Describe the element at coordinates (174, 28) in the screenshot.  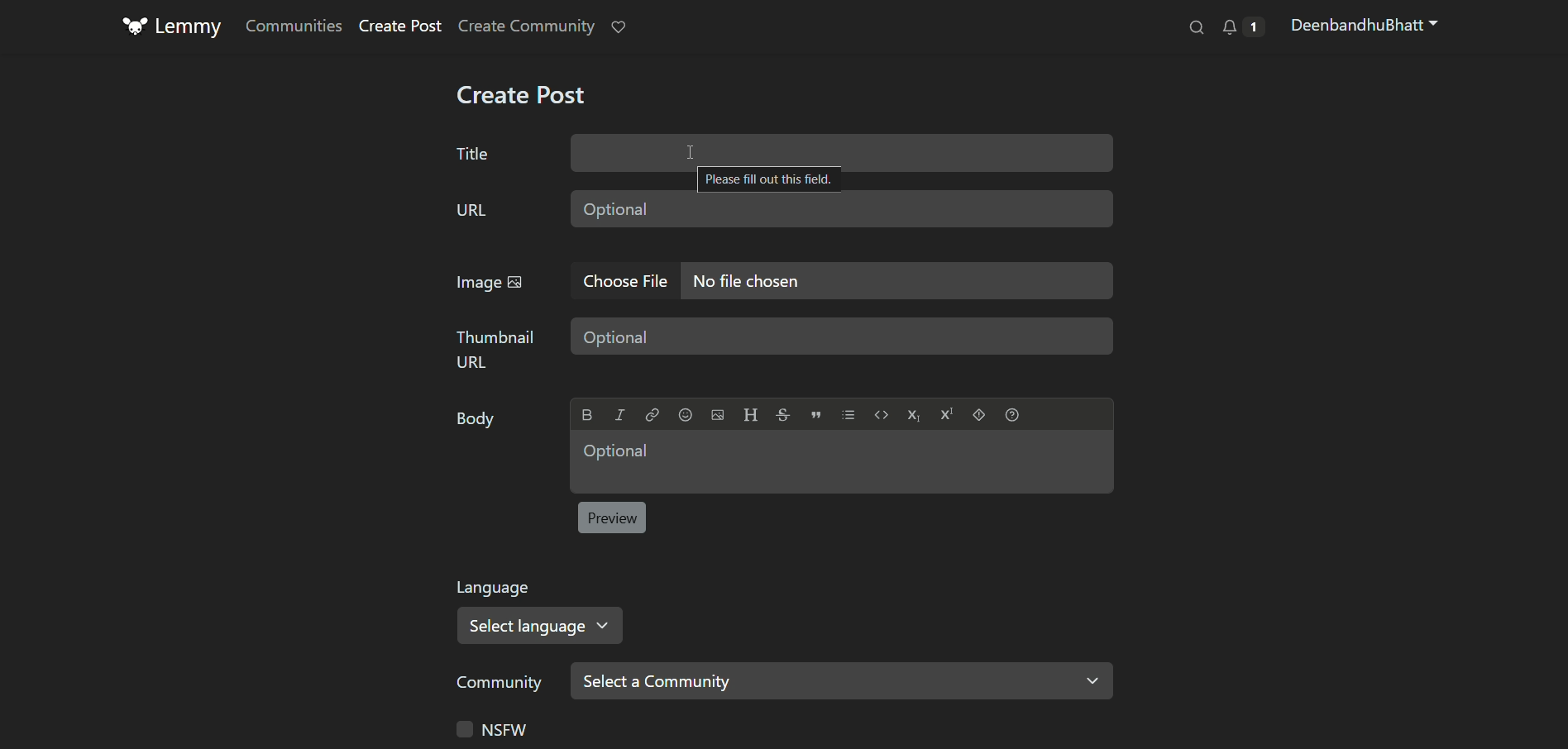
I see `logo and title` at that location.